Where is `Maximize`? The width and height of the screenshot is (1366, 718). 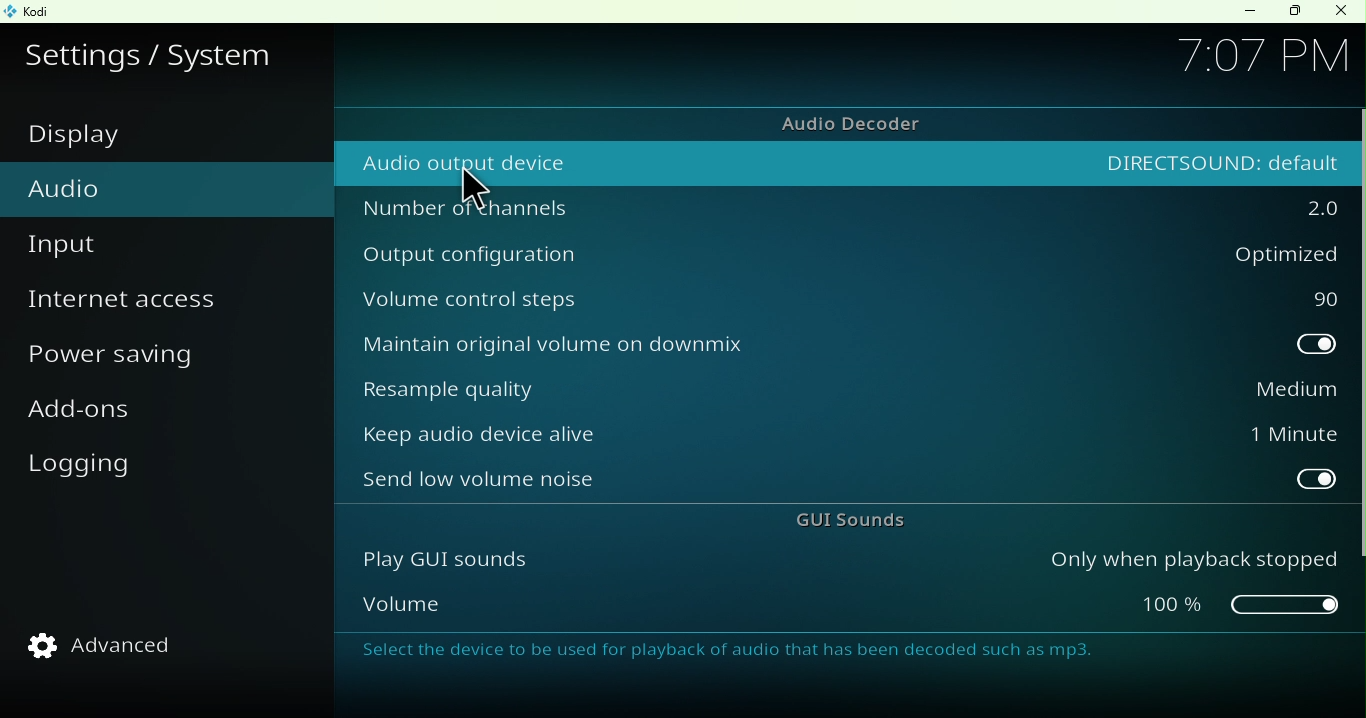 Maximize is located at coordinates (1287, 13).